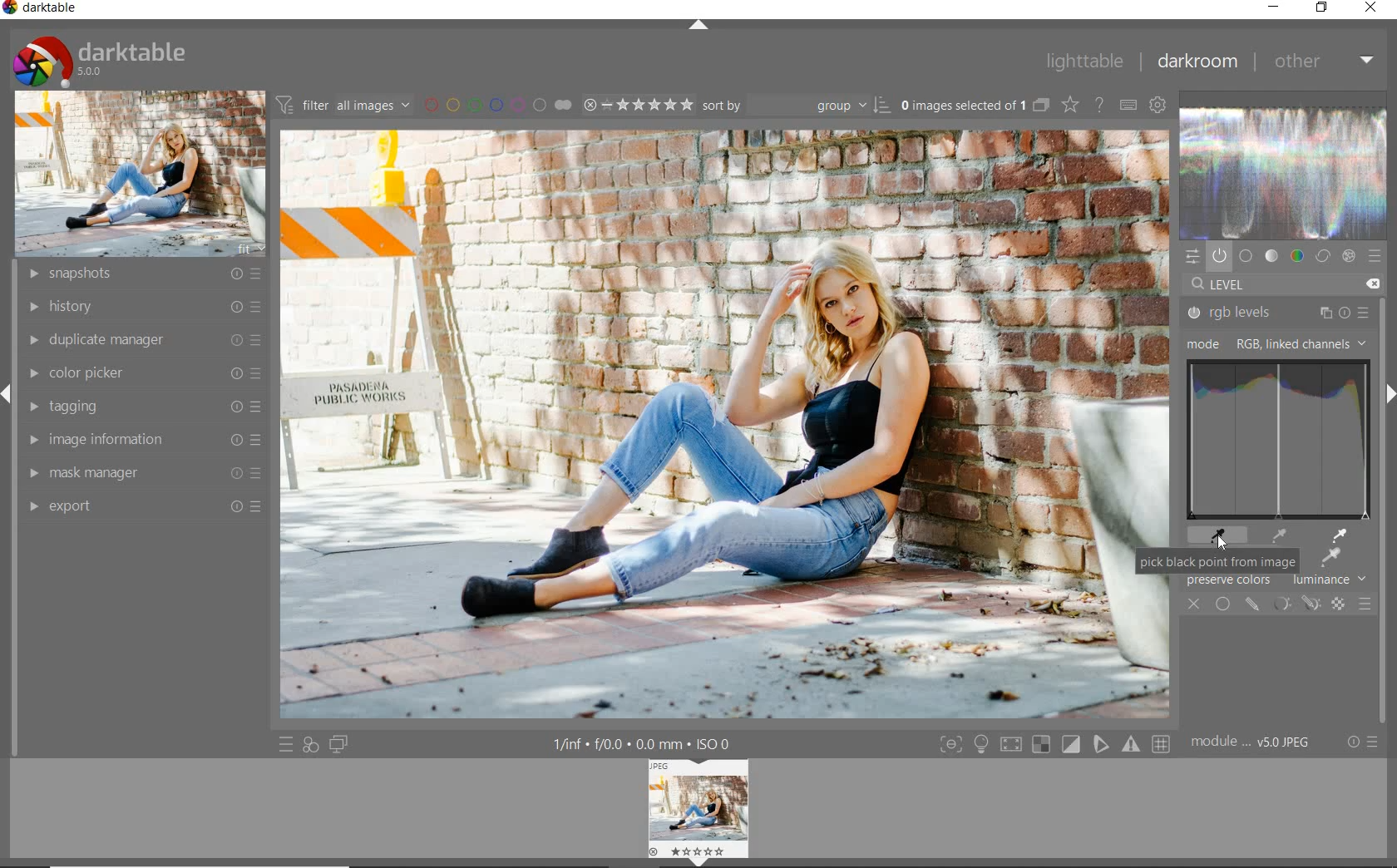  I want to click on display information, so click(655, 744).